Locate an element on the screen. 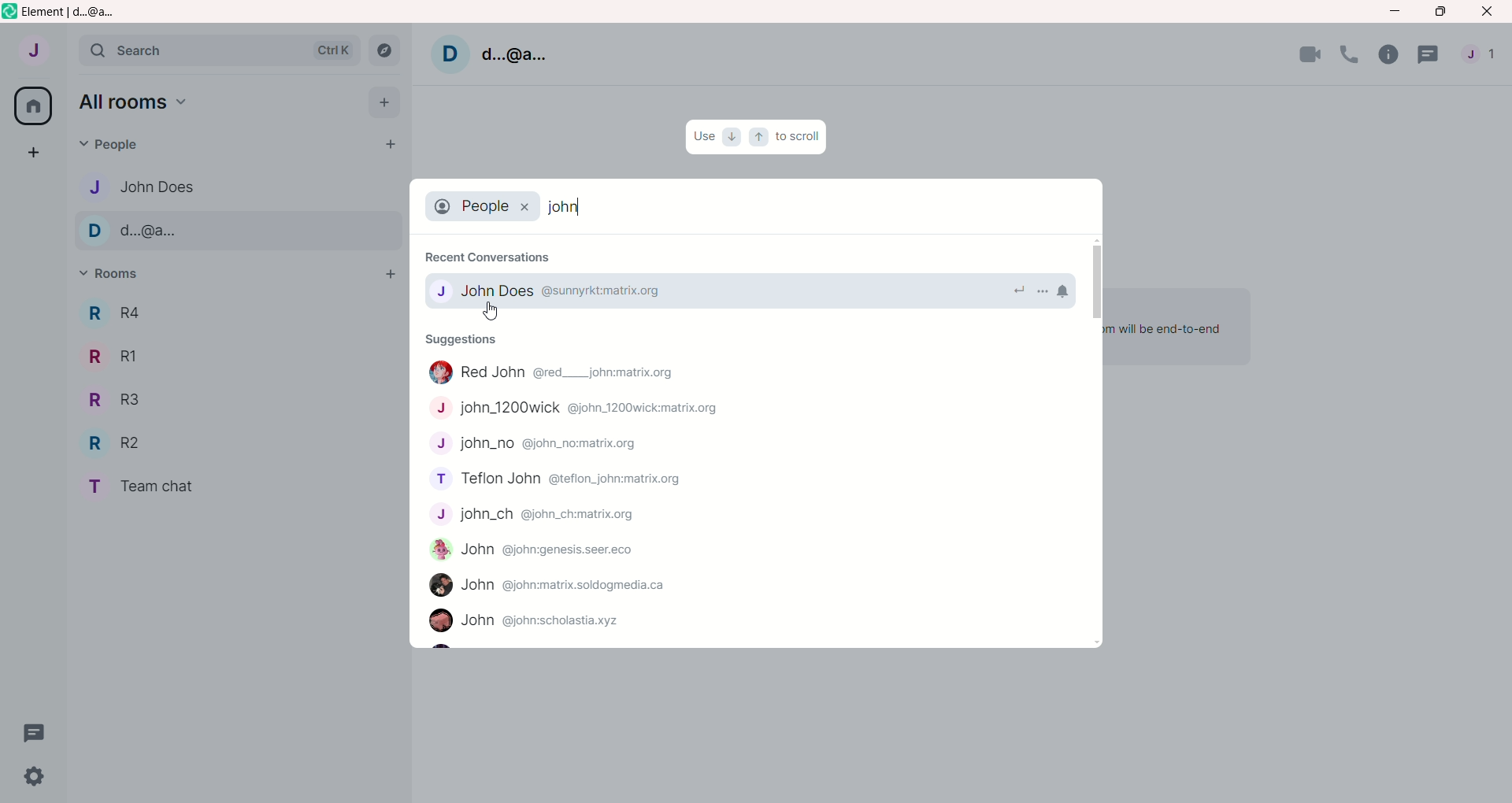  room info is located at coordinates (1392, 56).